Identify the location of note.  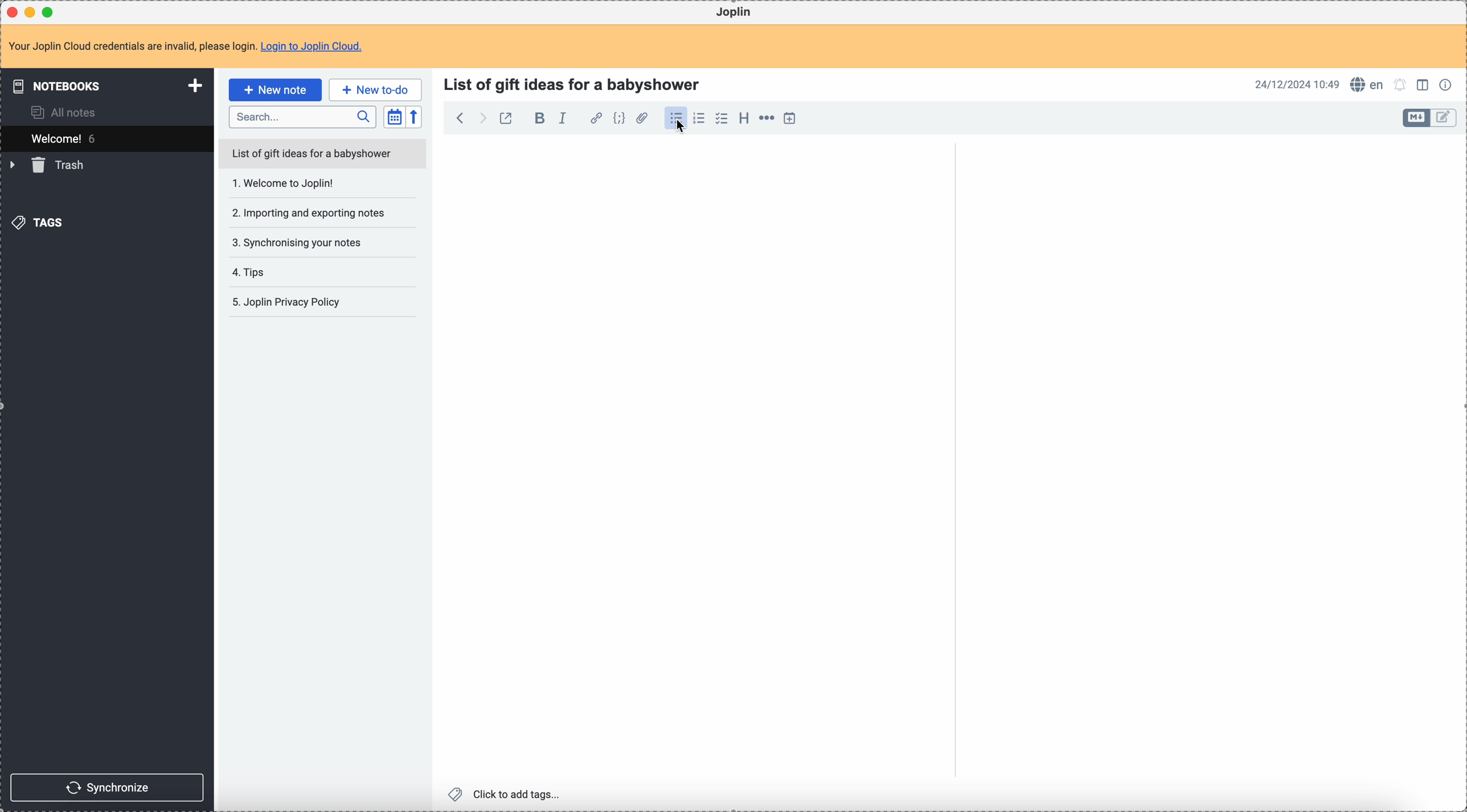
(185, 46).